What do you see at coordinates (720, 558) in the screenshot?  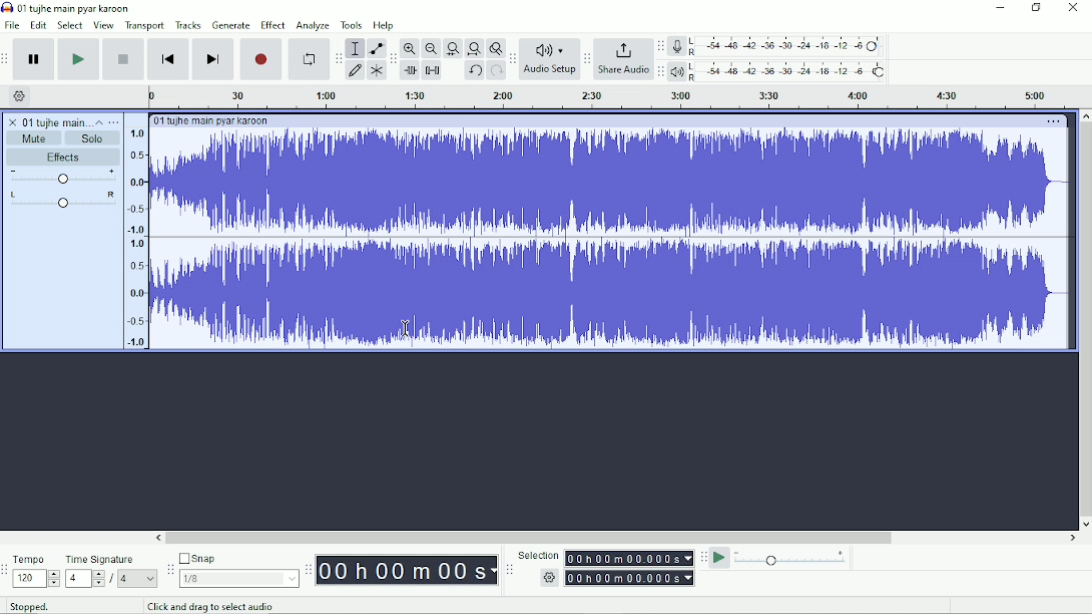 I see `Play-at-speed` at bounding box center [720, 558].